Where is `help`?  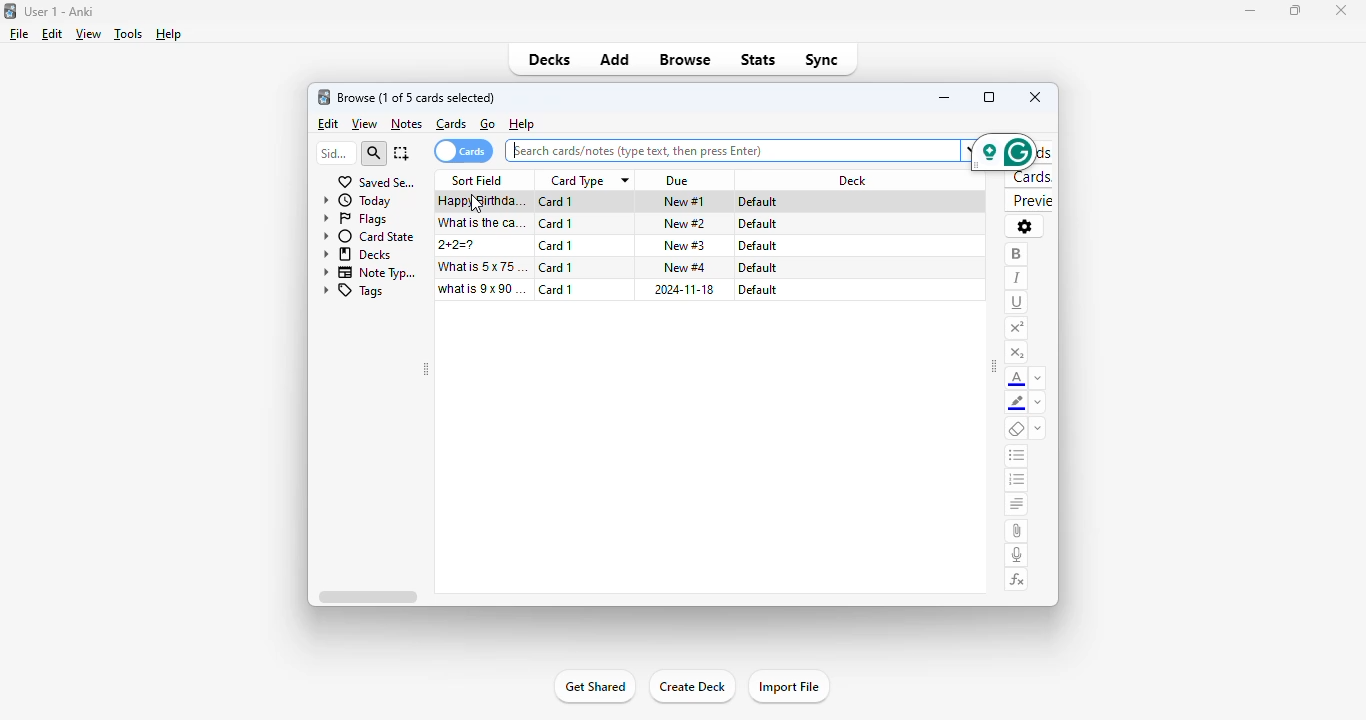
help is located at coordinates (522, 123).